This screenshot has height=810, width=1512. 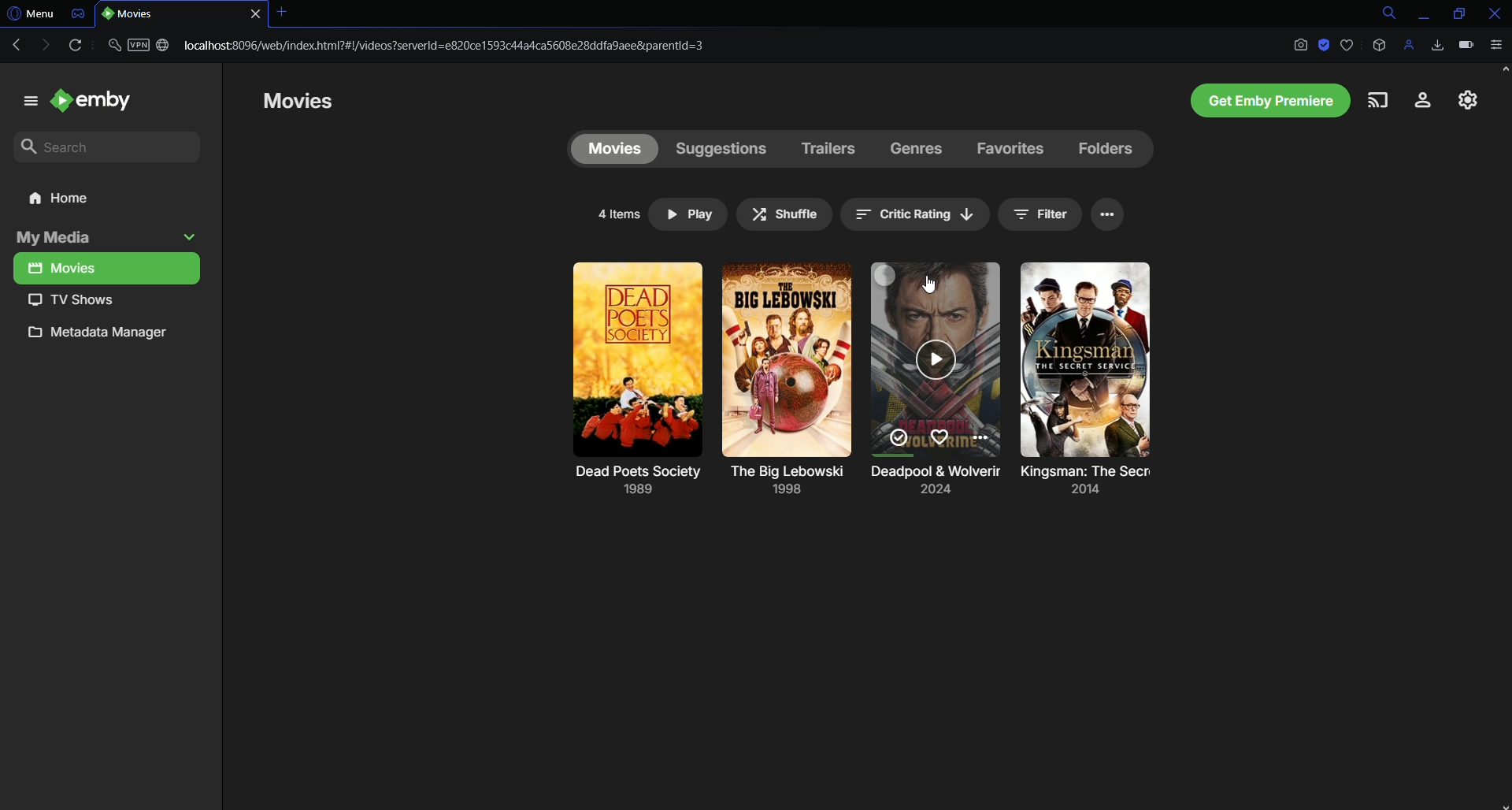 I want to click on Options, so click(x=1110, y=214).